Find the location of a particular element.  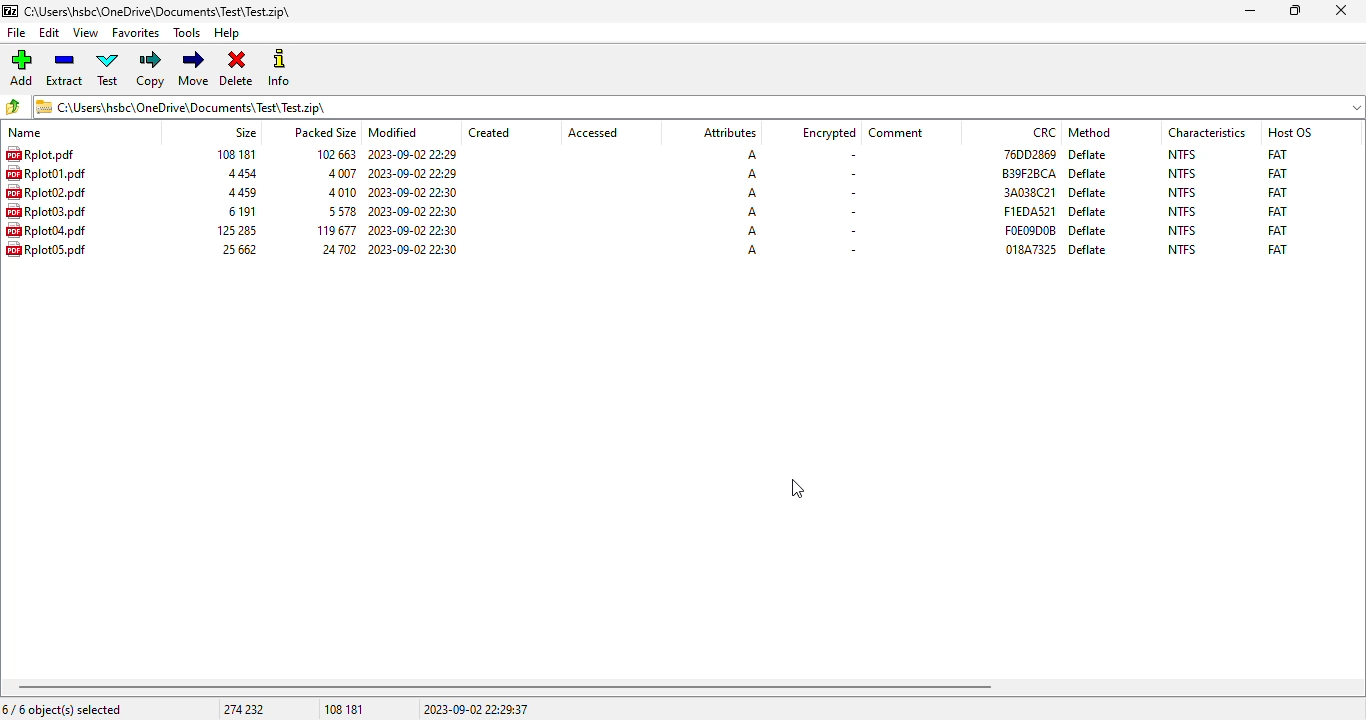

 comment is located at coordinates (896, 133).